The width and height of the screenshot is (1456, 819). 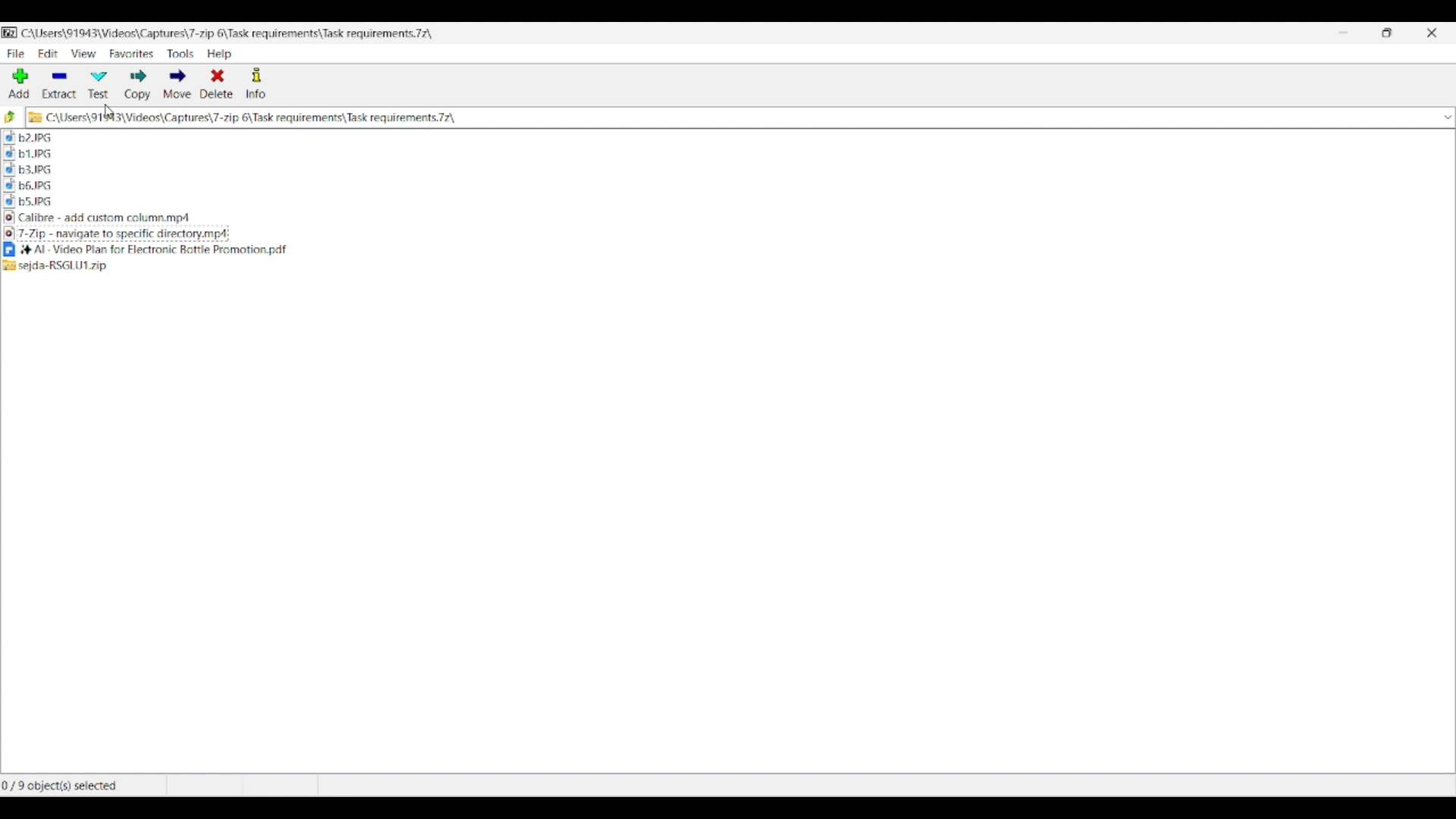 I want to click on Extract, so click(x=59, y=85).